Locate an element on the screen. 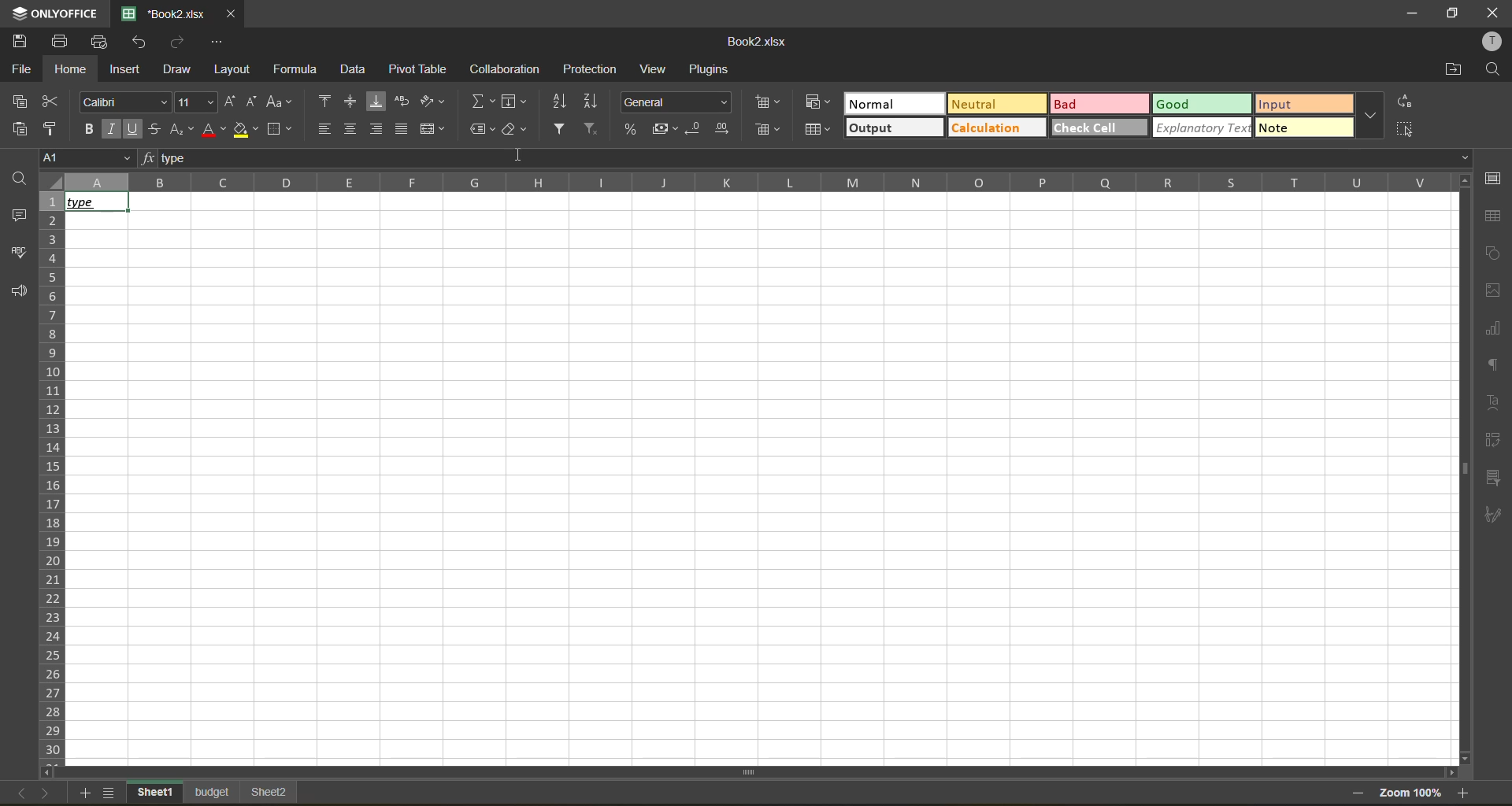 This screenshot has width=1512, height=806. font size is located at coordinates (193, 102).